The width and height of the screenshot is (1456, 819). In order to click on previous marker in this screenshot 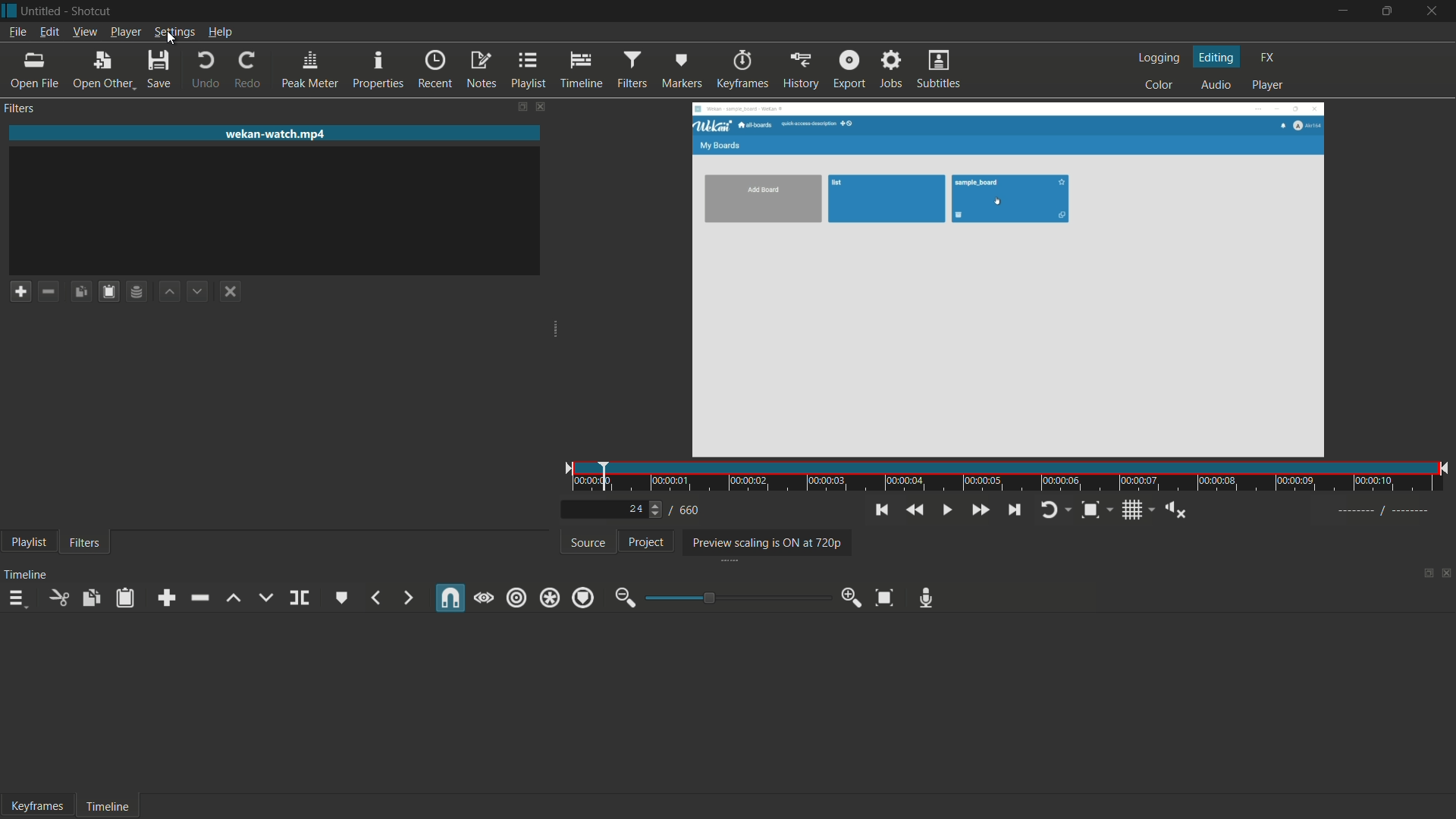, I will do `click(375, 598)`.